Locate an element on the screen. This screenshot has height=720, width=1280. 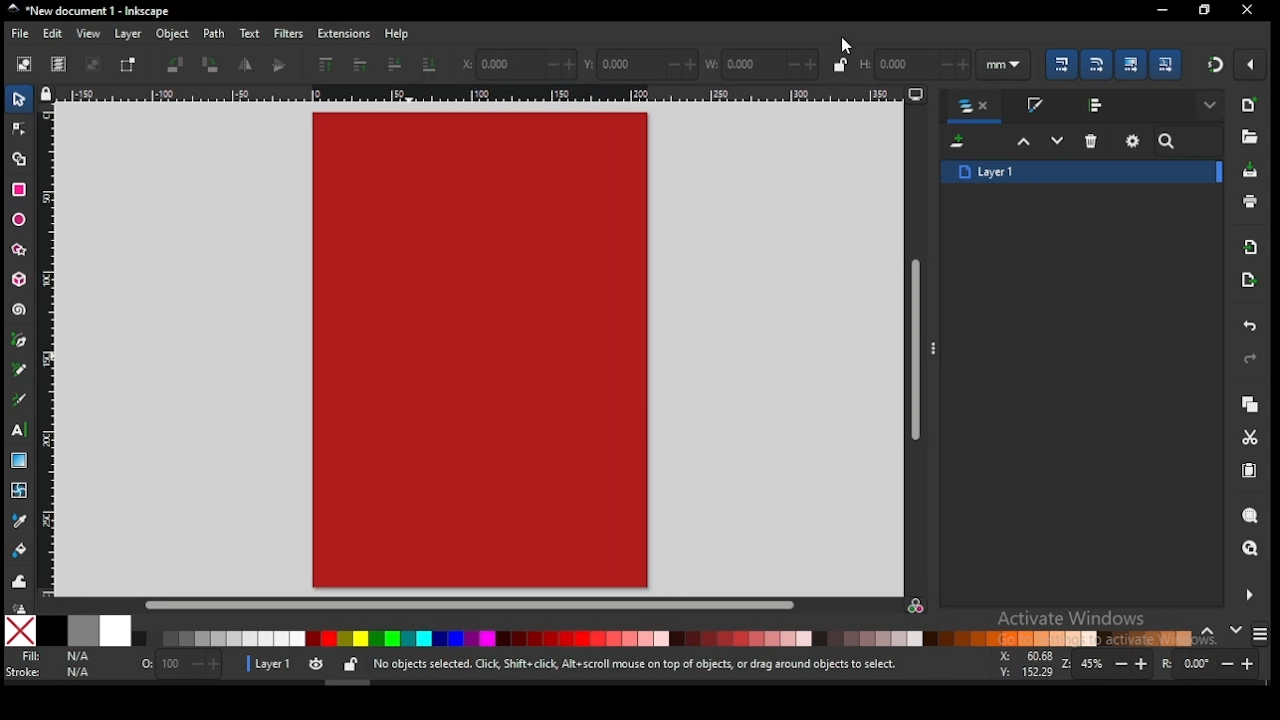
tweak tool is located at coordinates (20, 581).